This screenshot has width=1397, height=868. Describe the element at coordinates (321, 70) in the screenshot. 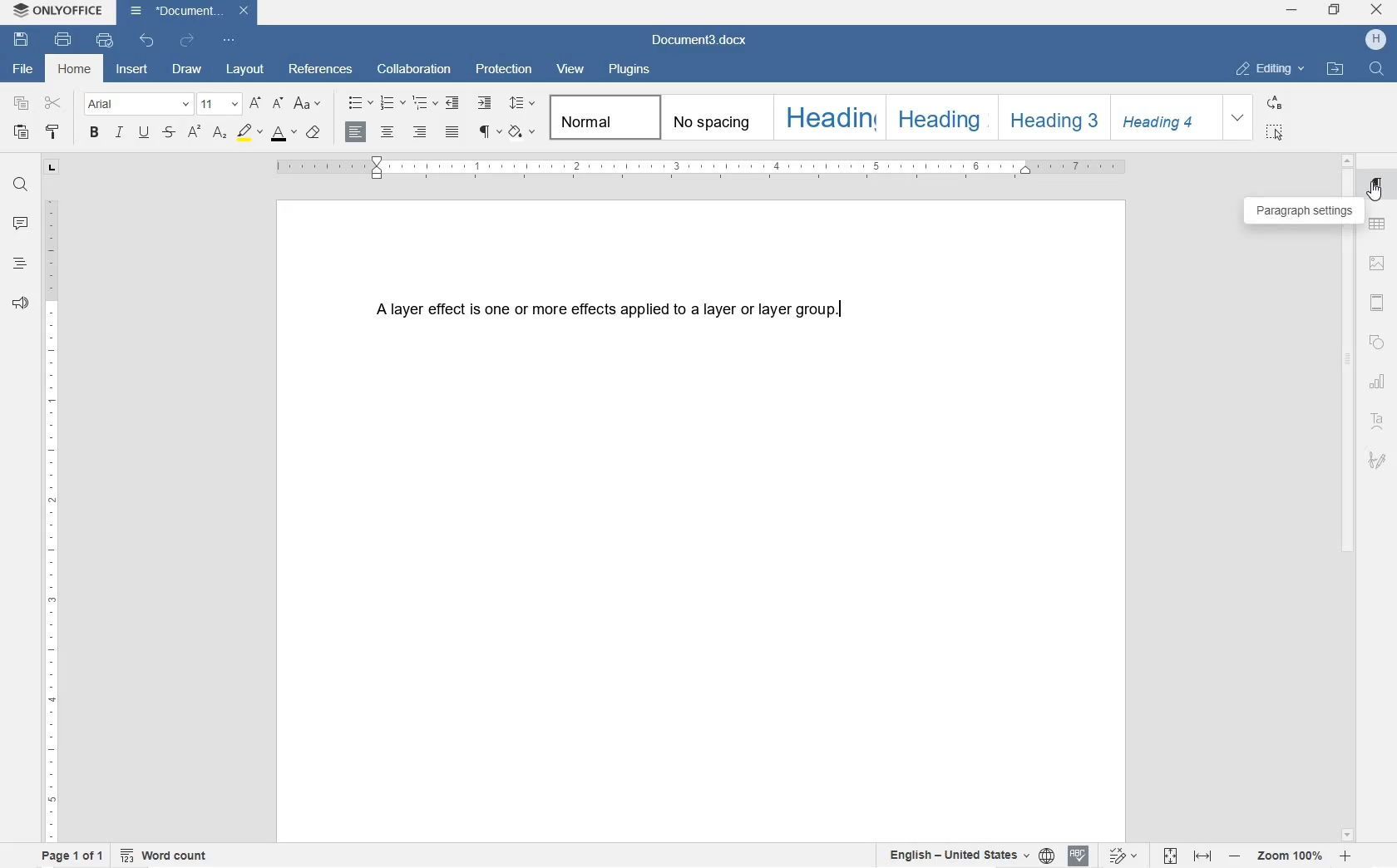

I see `REFERENCES` at that location.